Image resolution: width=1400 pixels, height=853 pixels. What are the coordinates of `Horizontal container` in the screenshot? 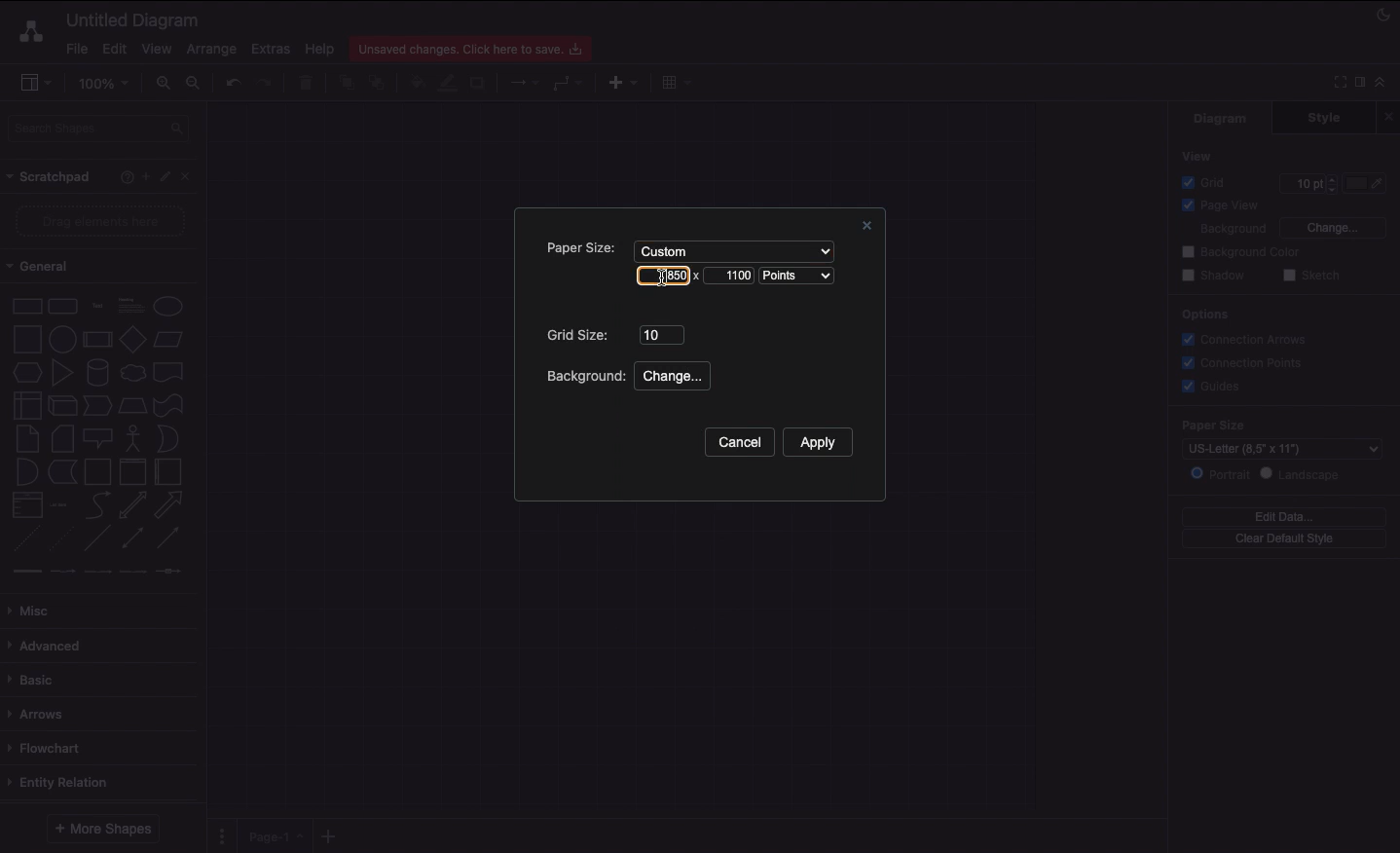 It's located at (169, 471).